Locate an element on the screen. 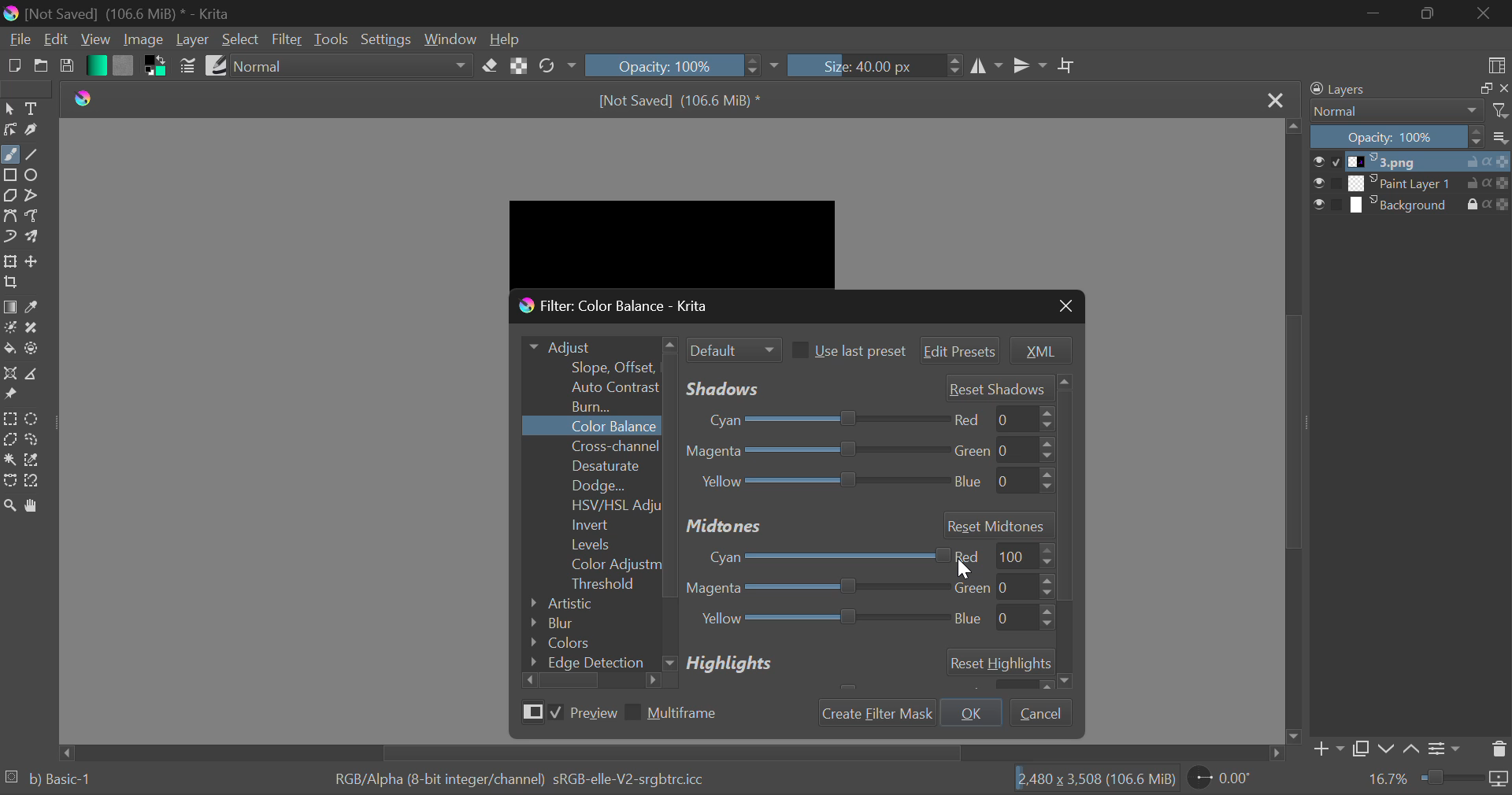 The image size is (1512, 795). [Not Saved] (106.6 MiB) * - Krita is located at coordinates (143, 11).